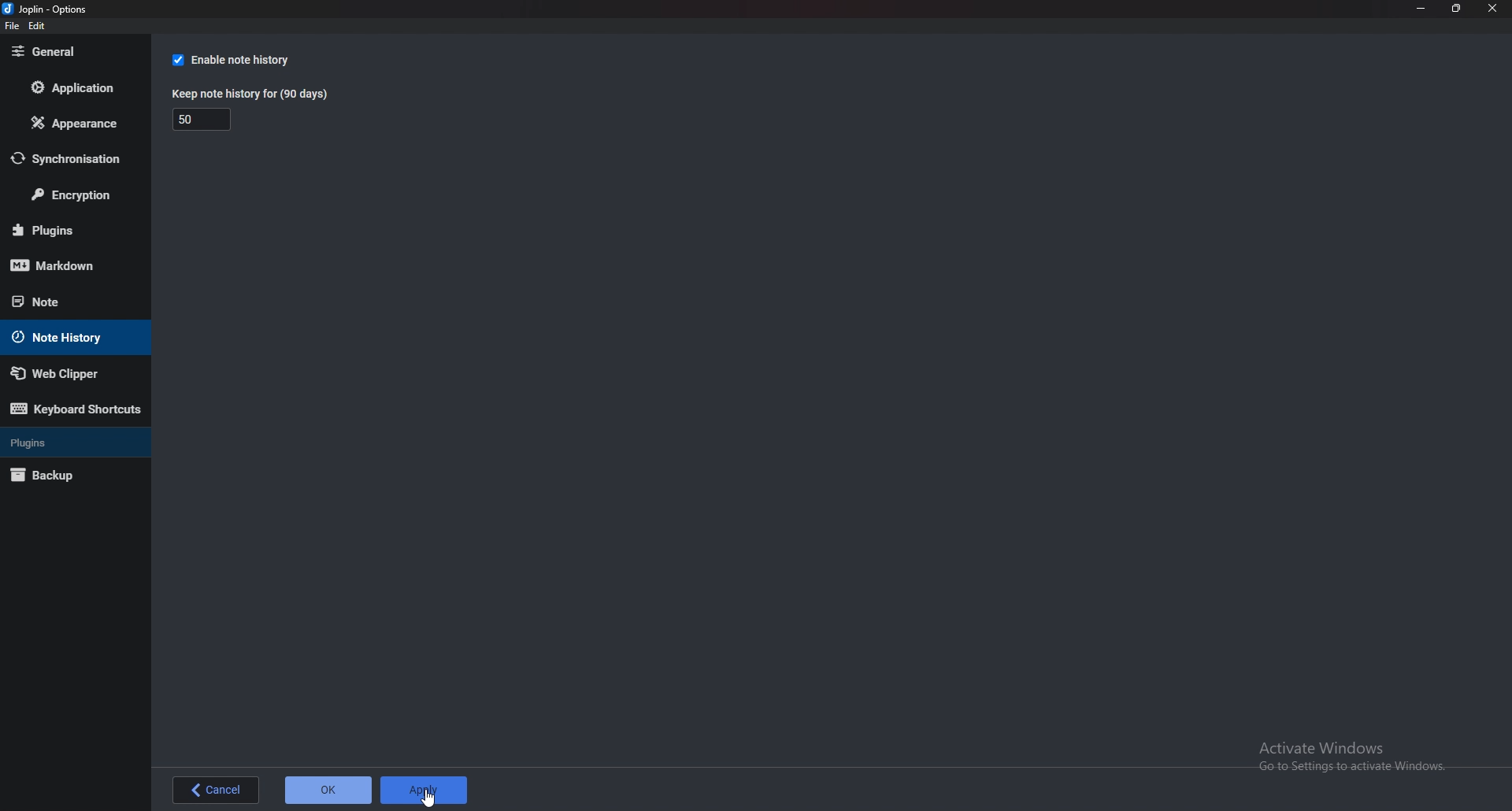 This screenshot has width=1512, height=811. I want to click on Note history, so click(69, 338).